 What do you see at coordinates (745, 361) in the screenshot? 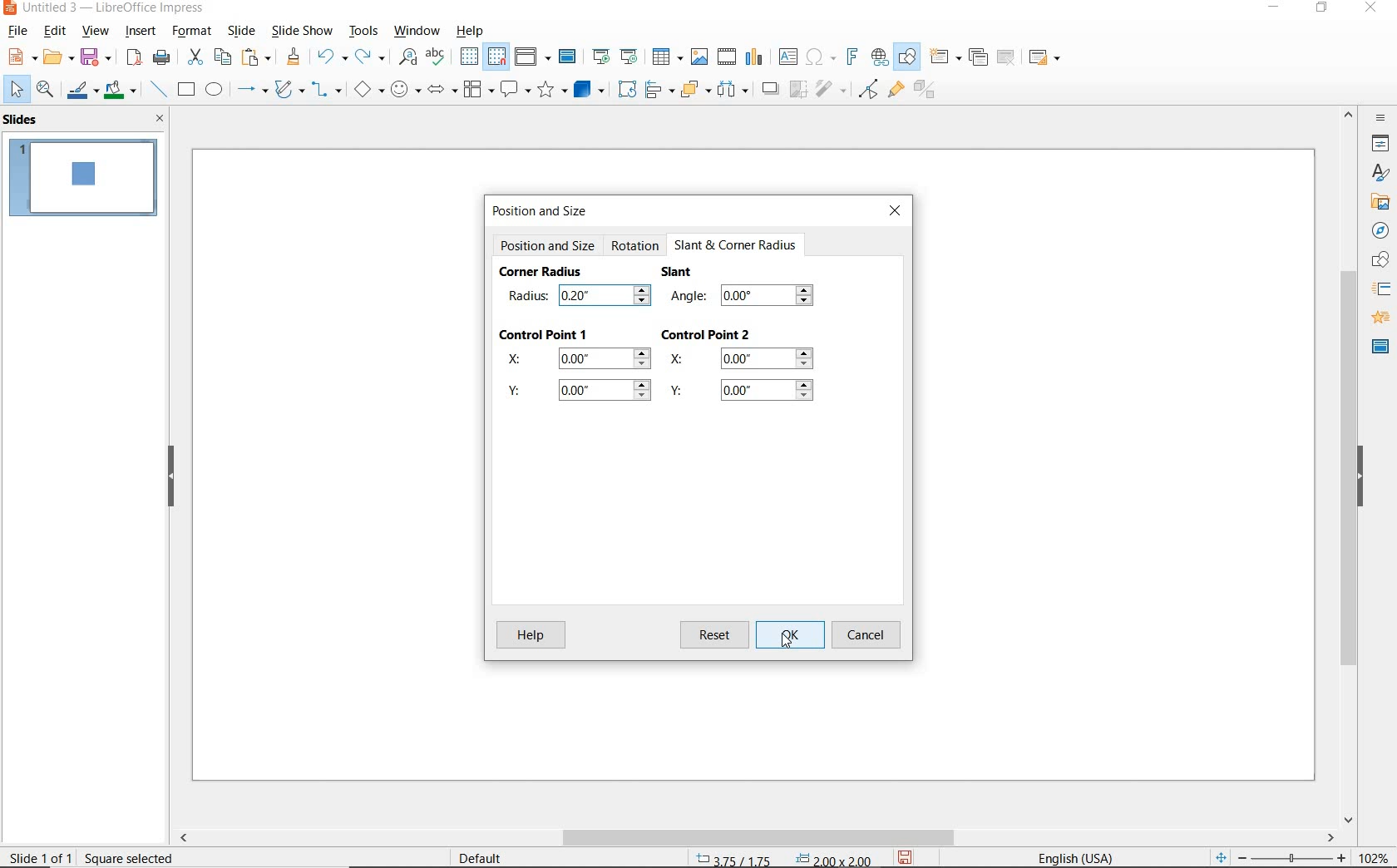
I see `X` at bounding box center [745, 361].